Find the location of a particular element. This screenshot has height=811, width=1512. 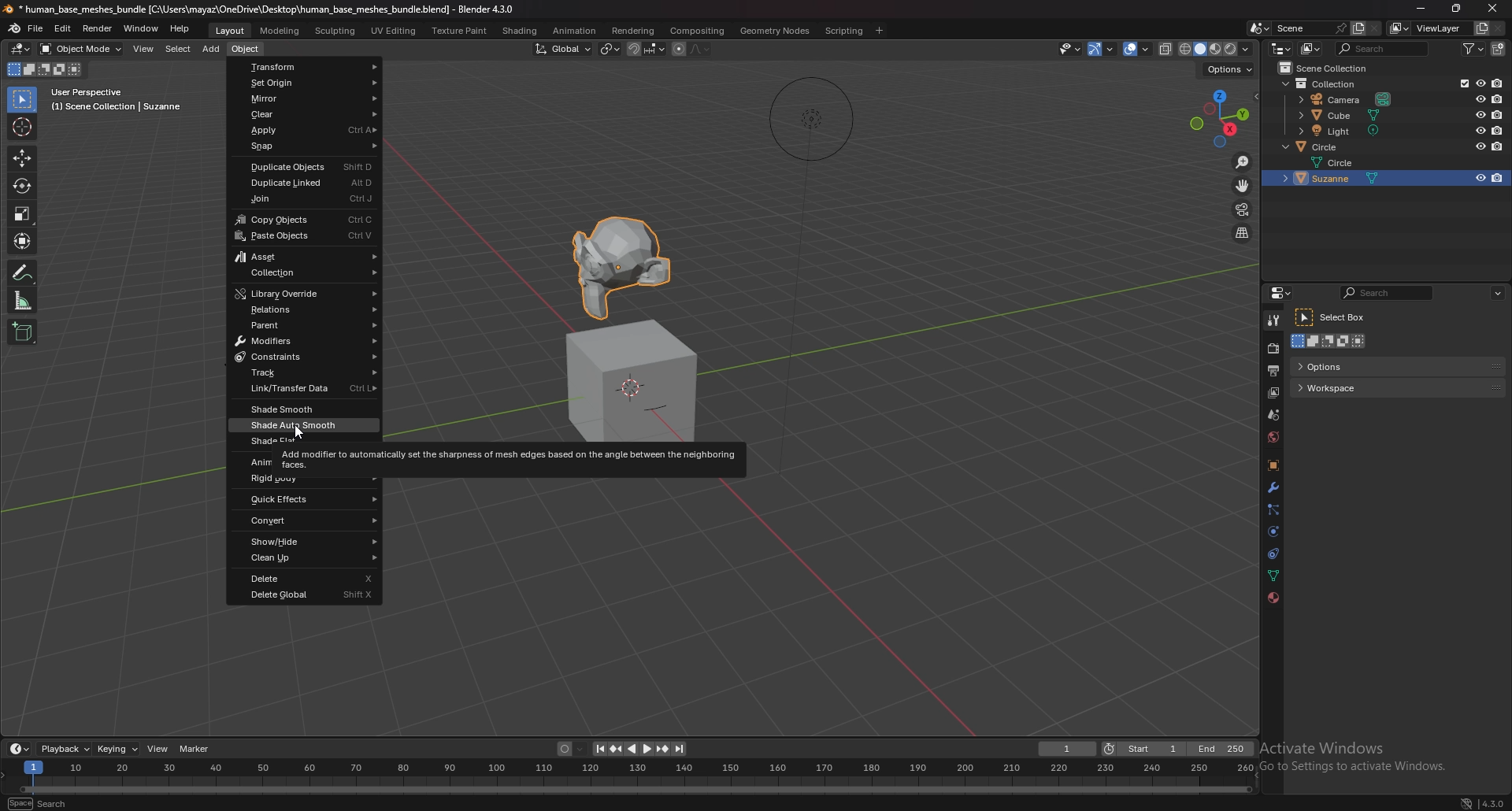

shade auto smooth is located at coordinates (303, 424).